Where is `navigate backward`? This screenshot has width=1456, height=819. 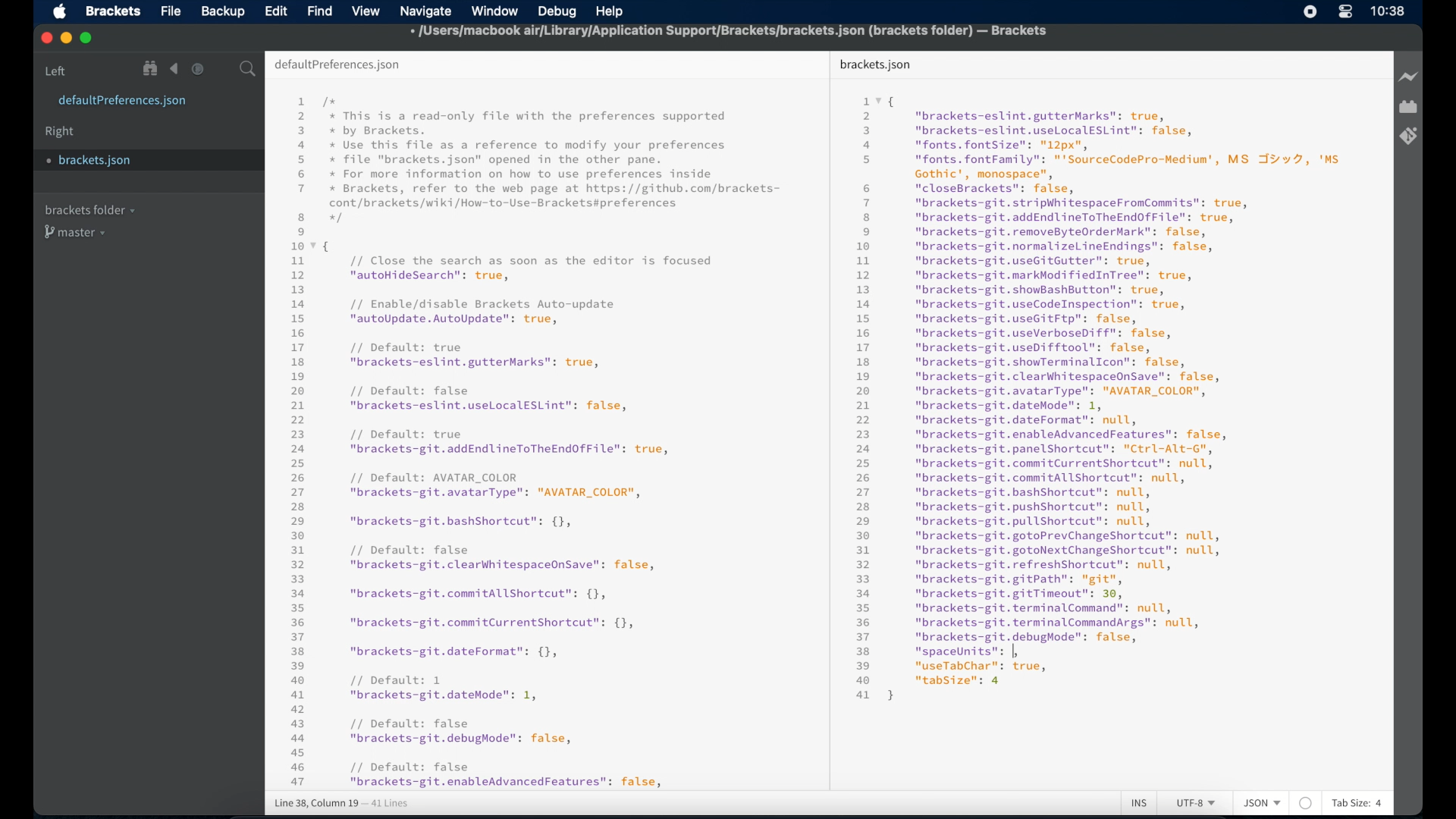
navigate backward is located at coordinates (174, 69).